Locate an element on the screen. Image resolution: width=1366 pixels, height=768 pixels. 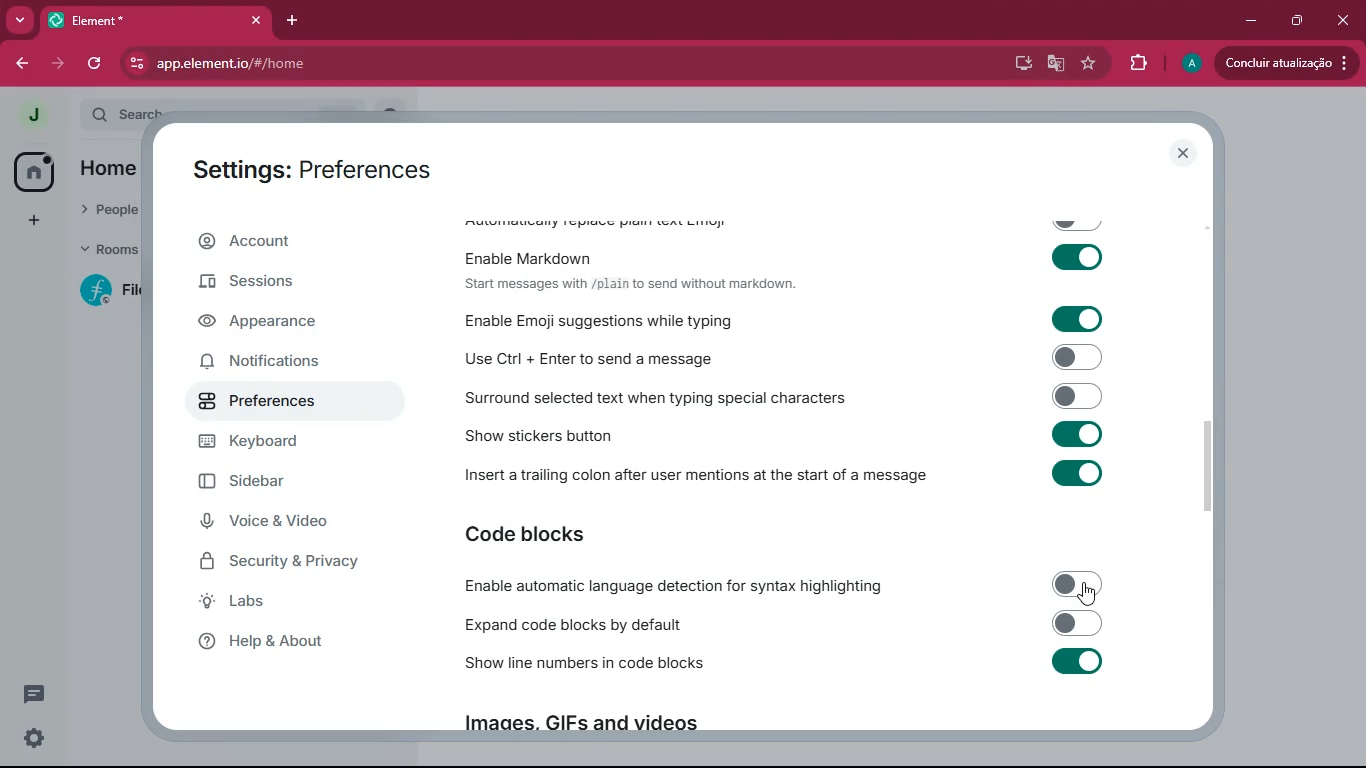
labs is located at coordinates (277, 604).